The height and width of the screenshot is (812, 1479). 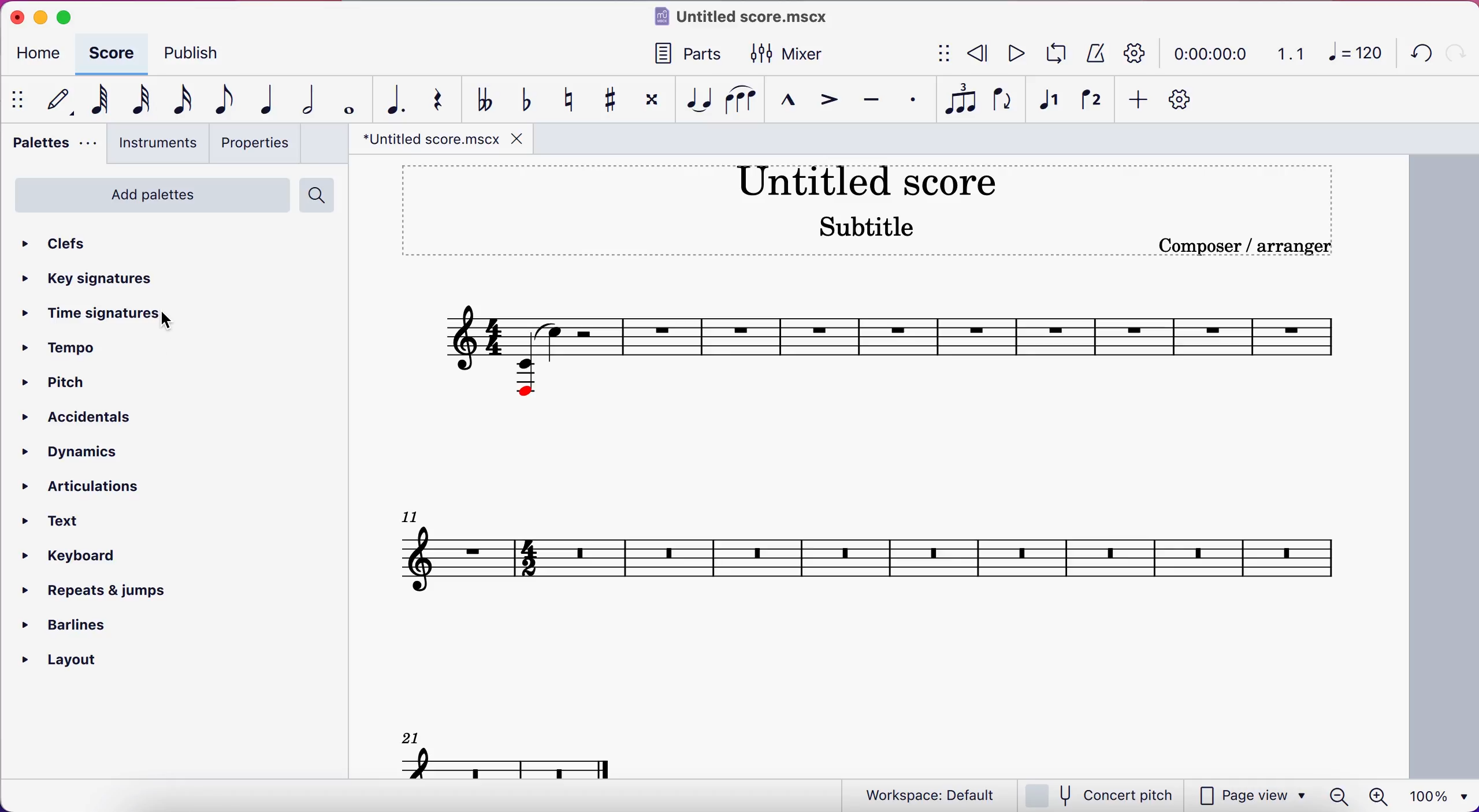 I want to click on quarter note, so click(x=259, y=99).